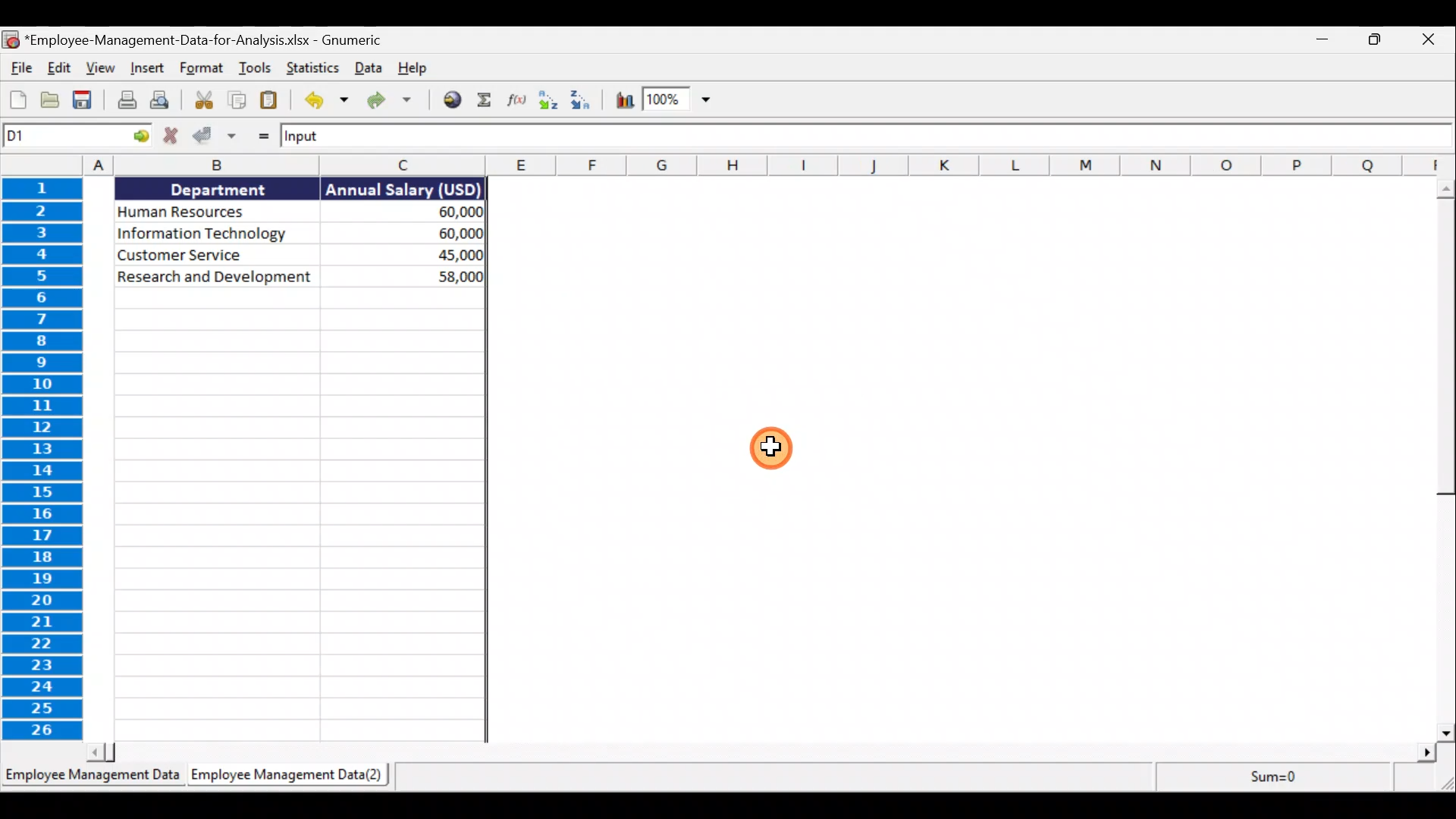 The width and height of the screenshot is (1456, 819). I want to click on Minimise, so click(1321, 39).